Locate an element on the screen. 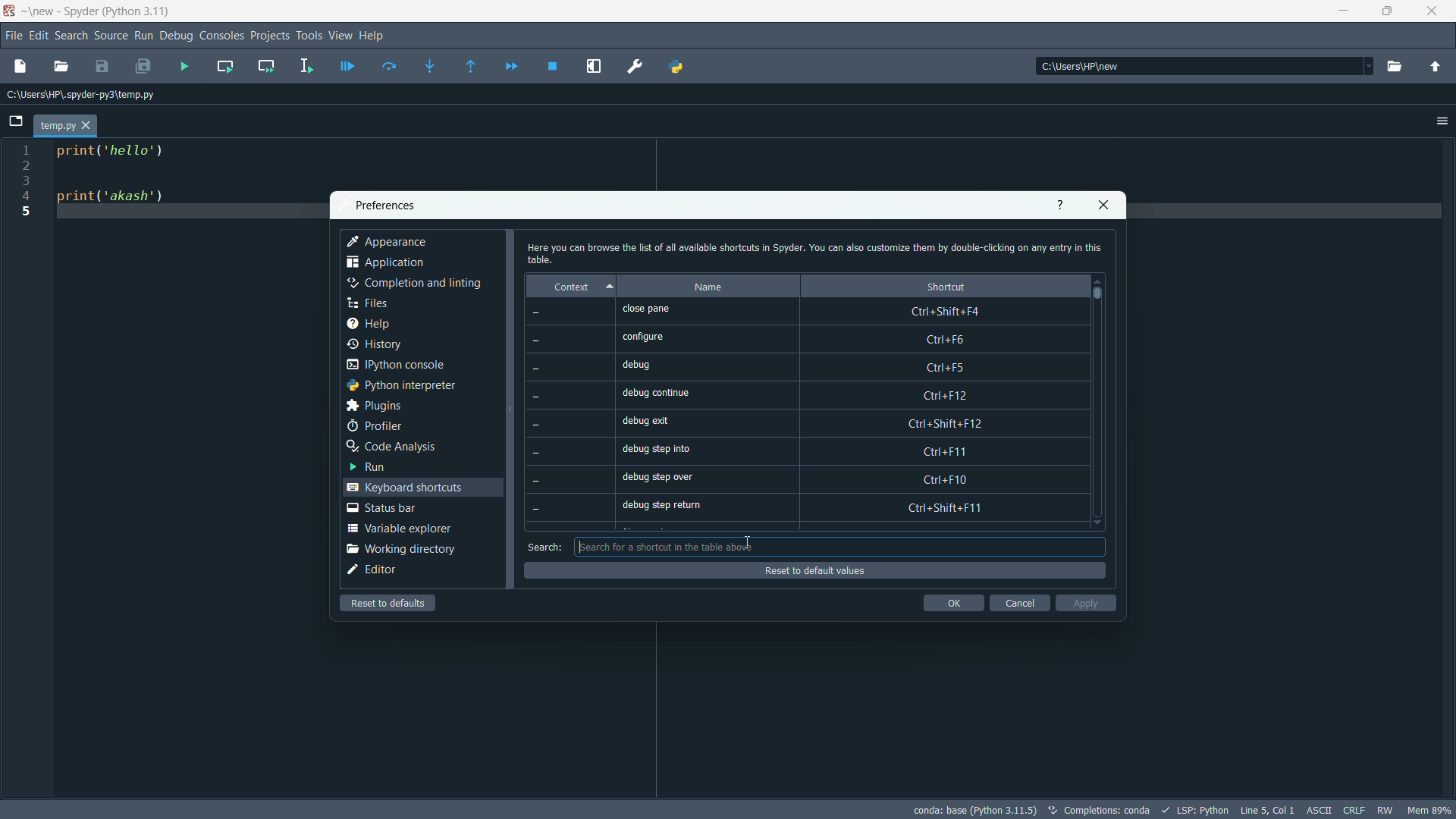 This screenshot has width=1456, height=819. cancel is located at coordinates (1018, 604).